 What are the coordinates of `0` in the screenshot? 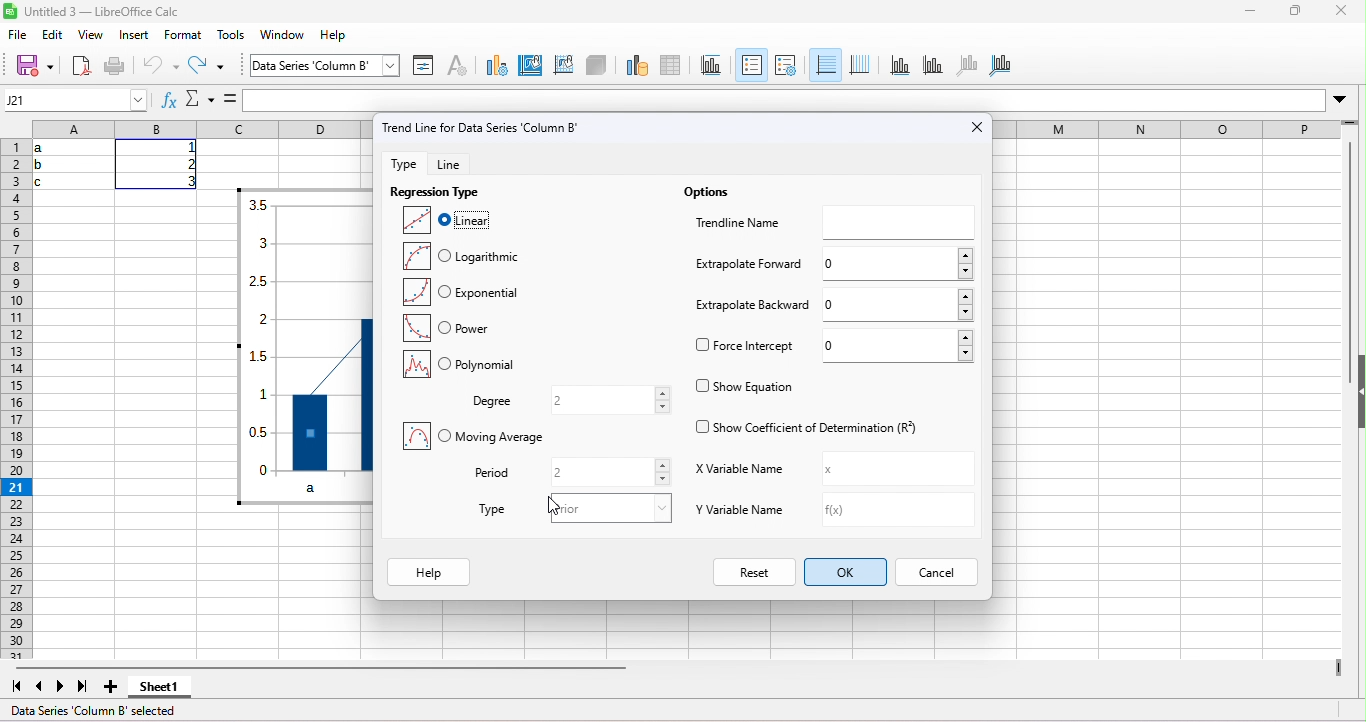 It's located at (899, 302).